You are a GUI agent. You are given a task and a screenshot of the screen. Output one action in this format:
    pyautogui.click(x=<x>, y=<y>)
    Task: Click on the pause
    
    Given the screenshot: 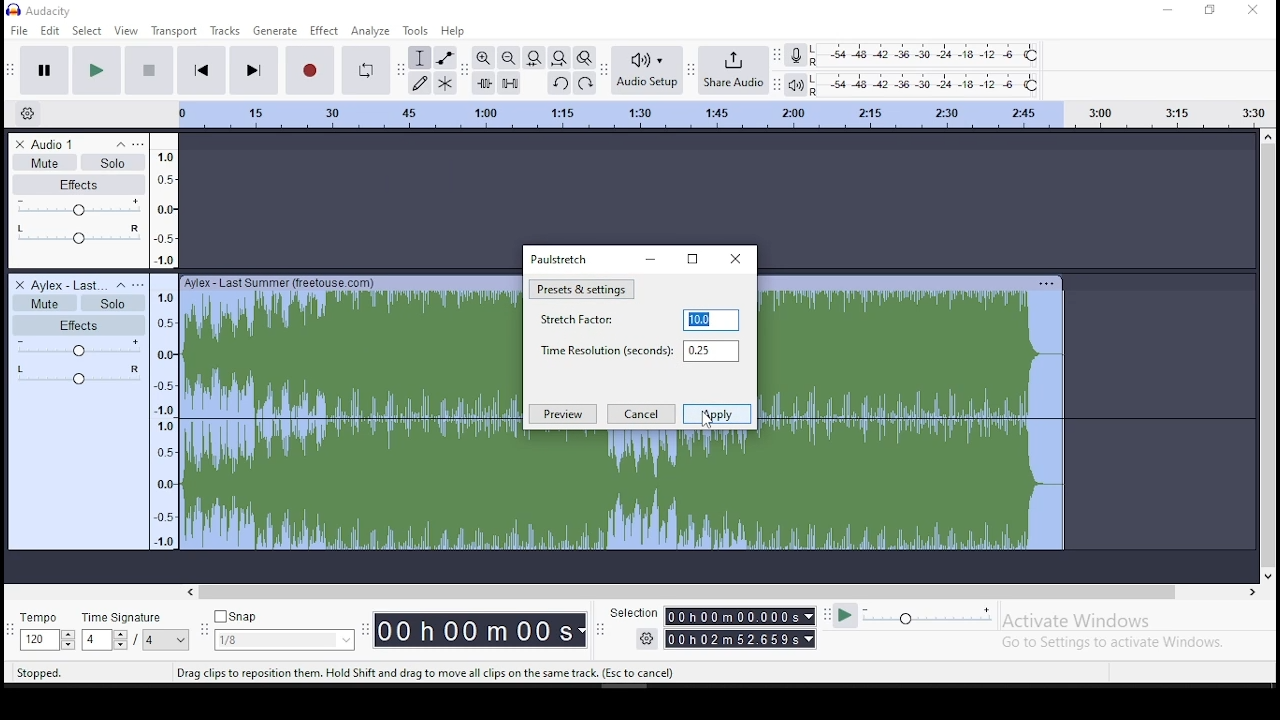 What is the action you would take?
    pyautogui.click(x=96, y=70)
    